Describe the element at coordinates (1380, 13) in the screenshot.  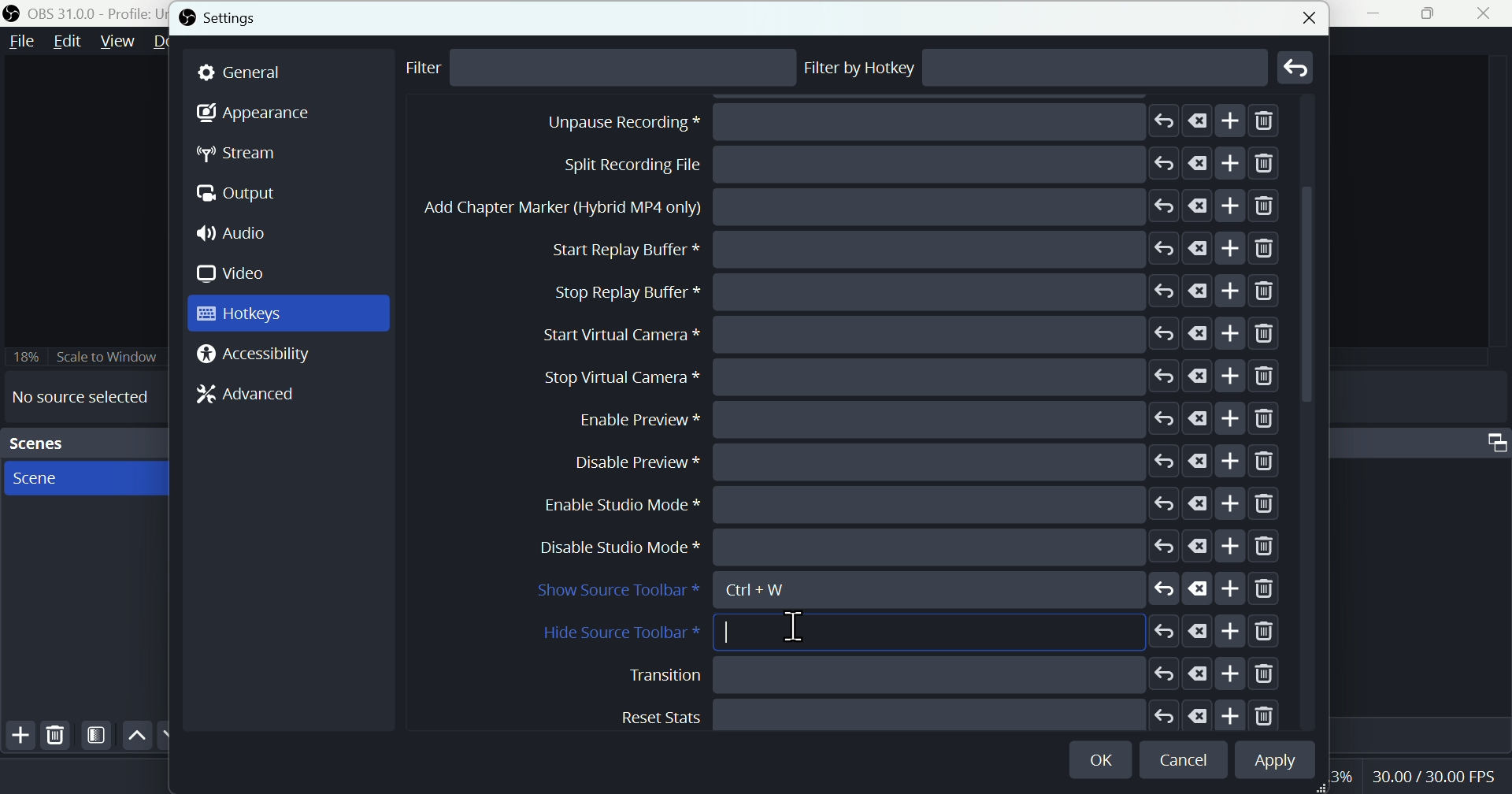
I see `minimise` at that location.